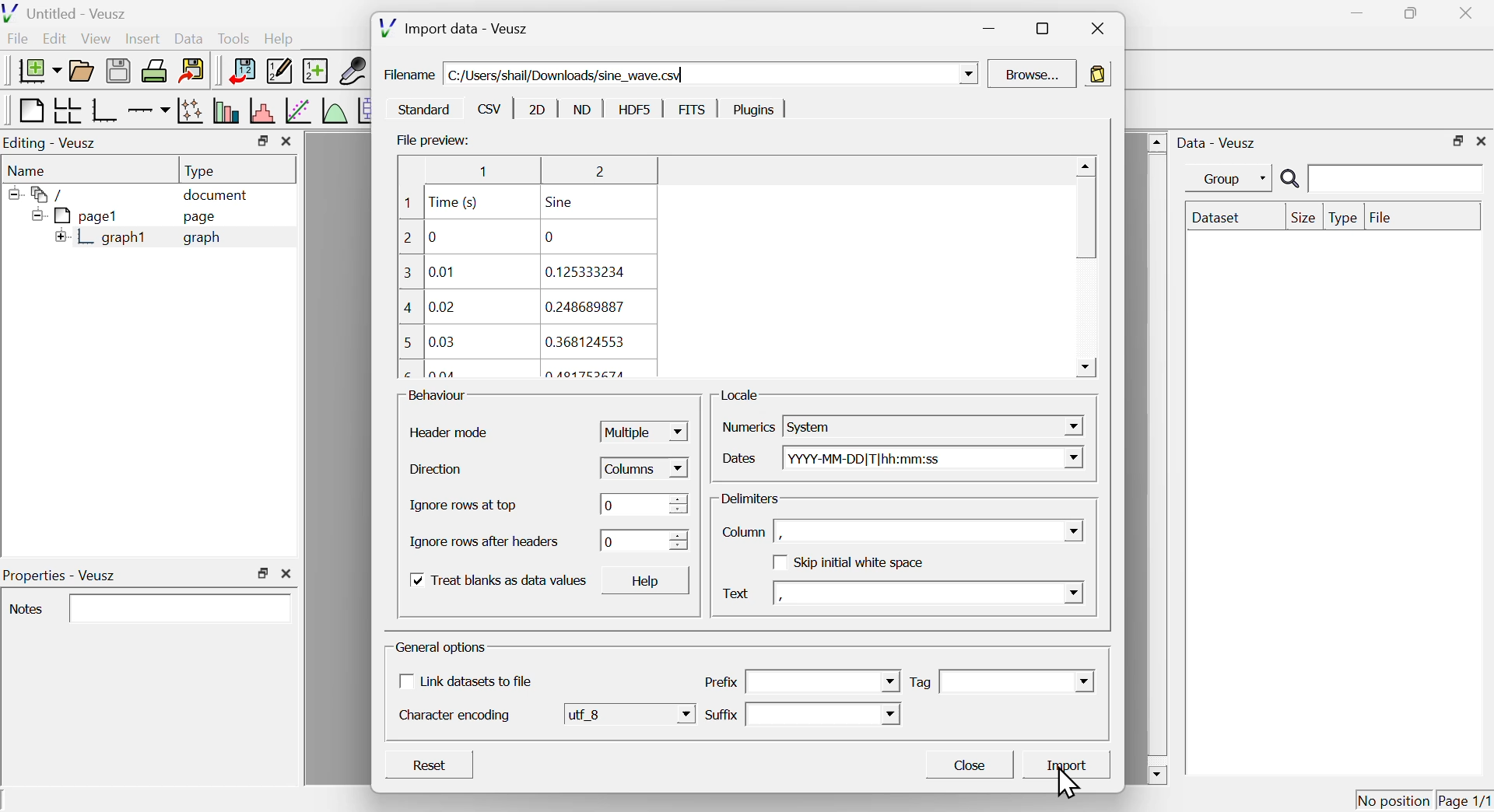  I want to click on blank page, so click(30, 110).